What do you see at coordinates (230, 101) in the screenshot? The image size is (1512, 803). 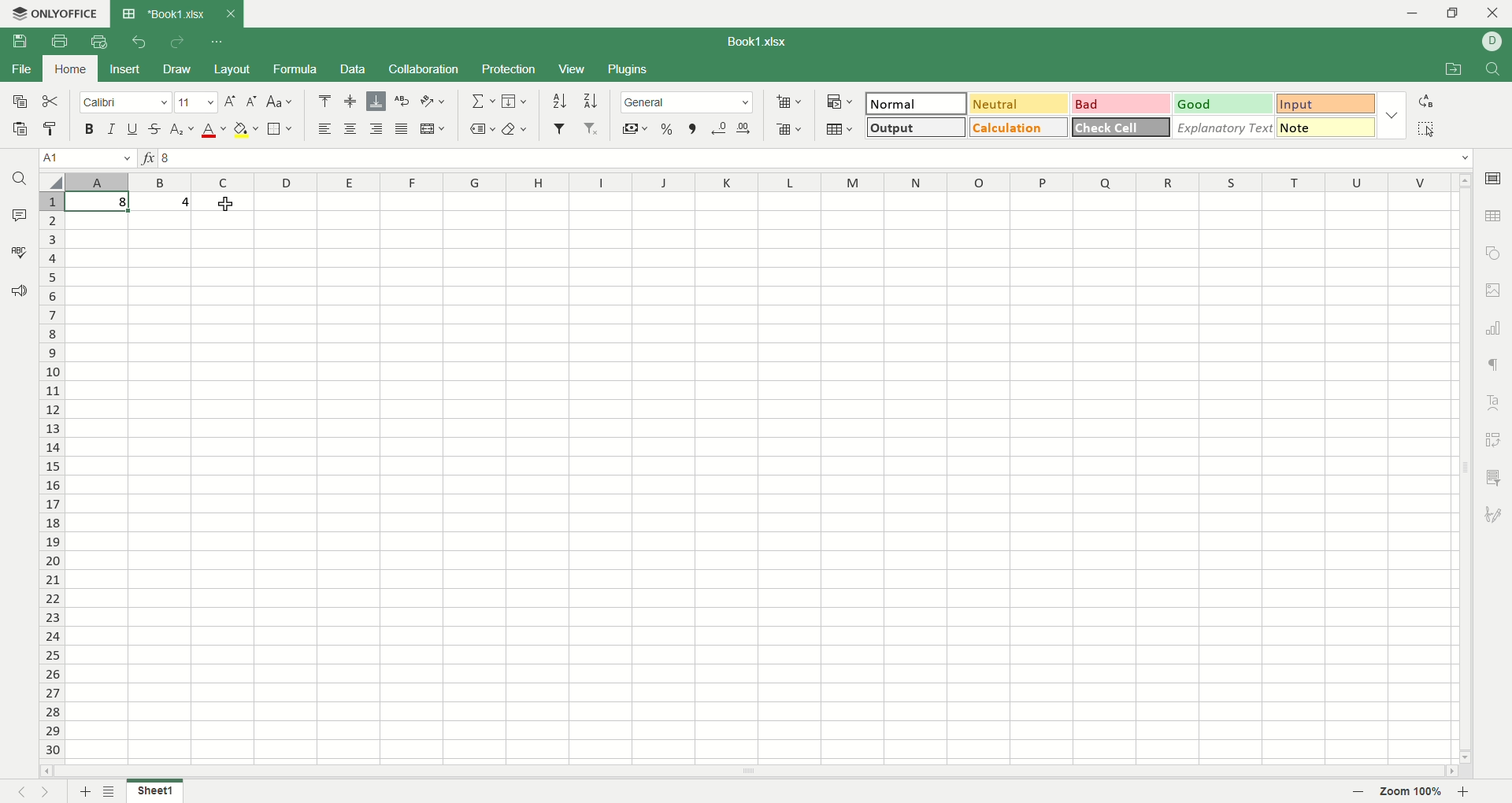 I see `increase font size` at bounding box center [230, 101].